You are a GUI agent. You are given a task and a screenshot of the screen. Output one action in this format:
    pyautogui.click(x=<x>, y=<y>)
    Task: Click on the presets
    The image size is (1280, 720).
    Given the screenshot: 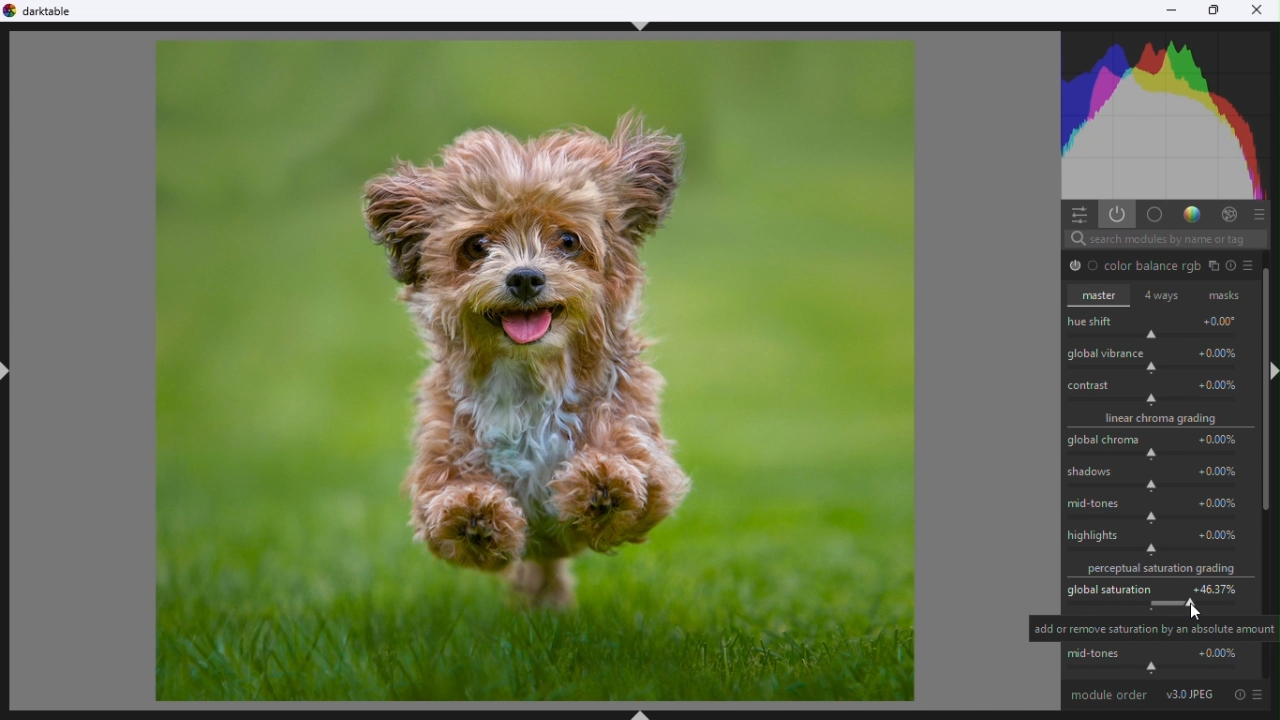 What is the action you would take?
    pyautogui.click(x=1261, y=214)
    